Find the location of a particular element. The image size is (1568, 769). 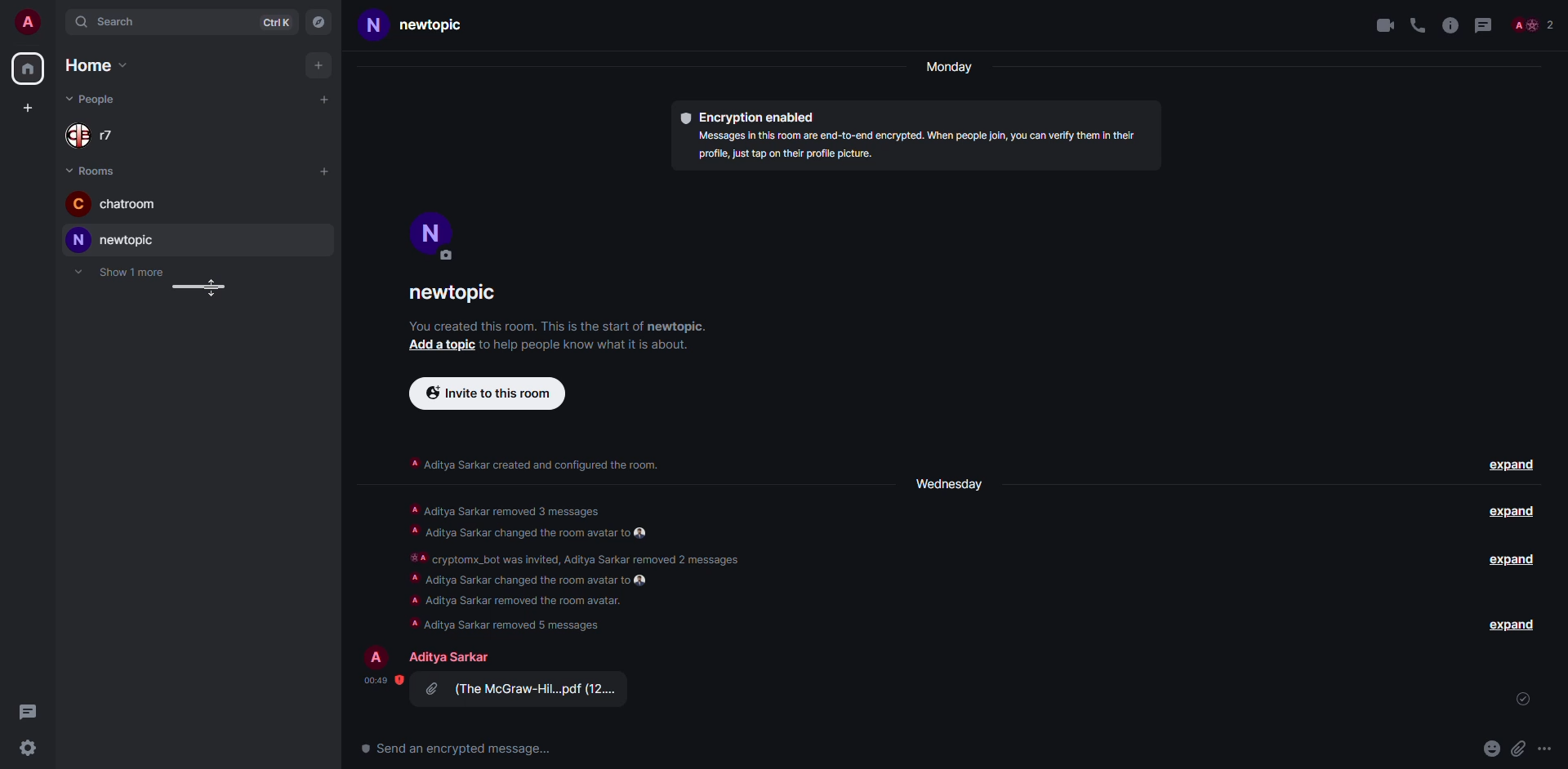

: to help people know what it is about. is located at coordinates (595, 347).